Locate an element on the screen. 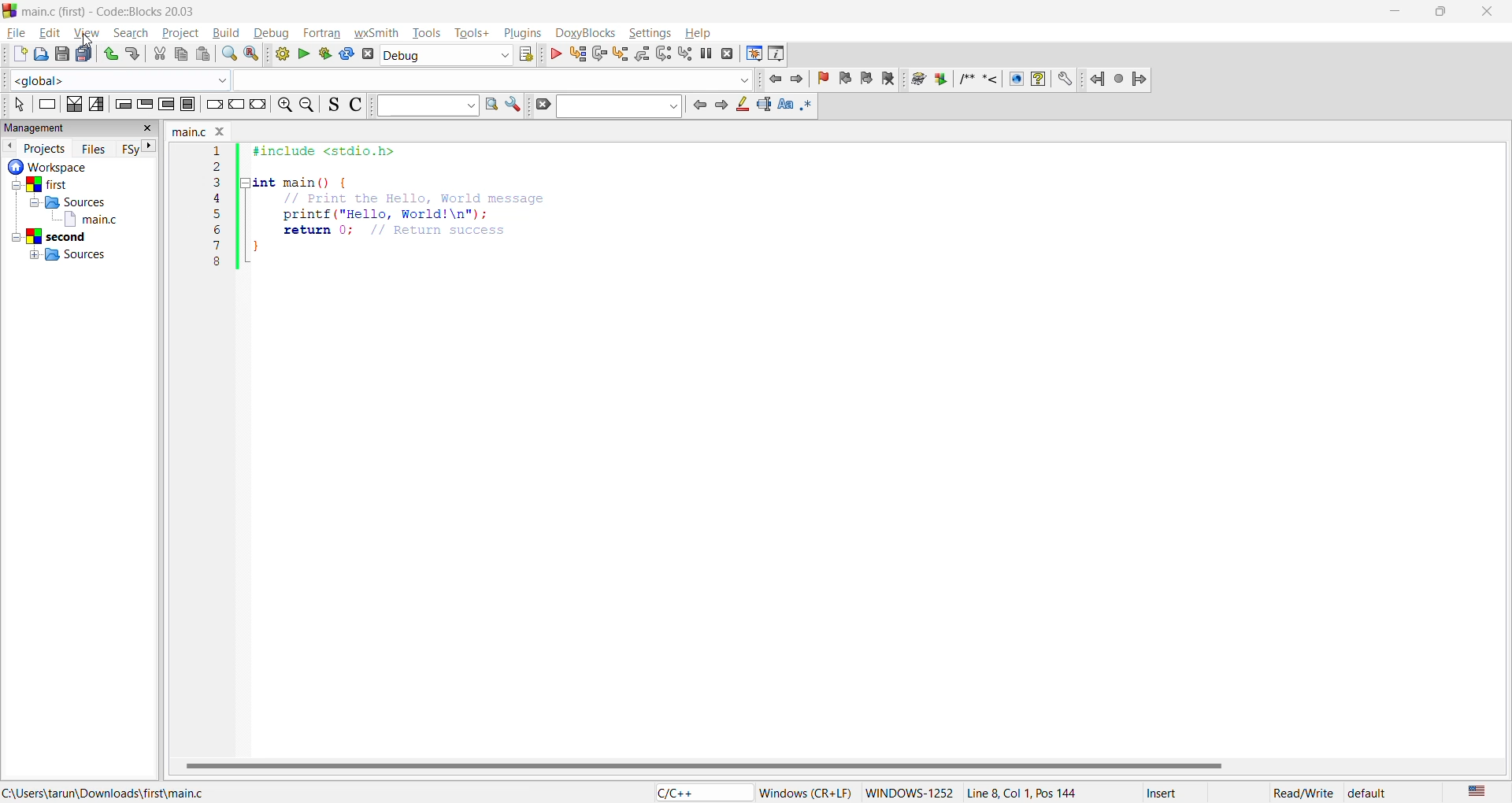 The height and width of the screenshot is (803, 1512). clear bookmarks is located at coordinates (888, 77).